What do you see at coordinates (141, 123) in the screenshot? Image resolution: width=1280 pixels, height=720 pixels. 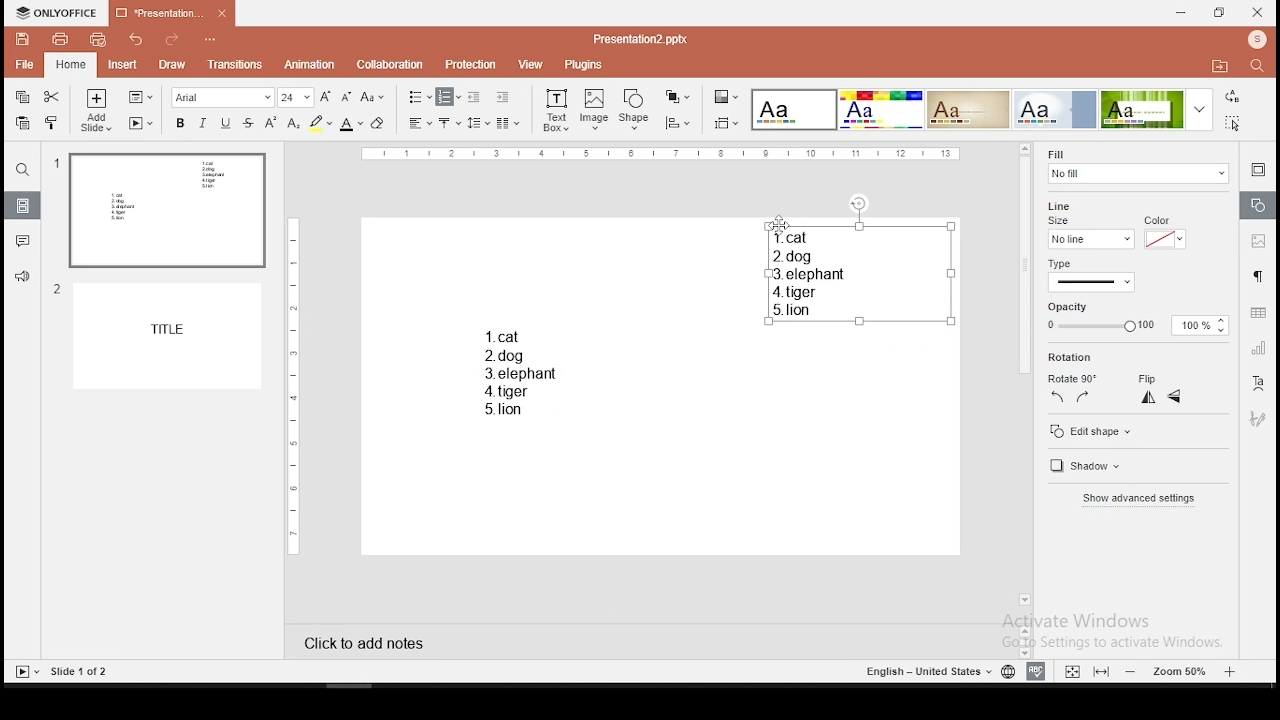 I see `start slideshow` at bounding box center [141, 123].